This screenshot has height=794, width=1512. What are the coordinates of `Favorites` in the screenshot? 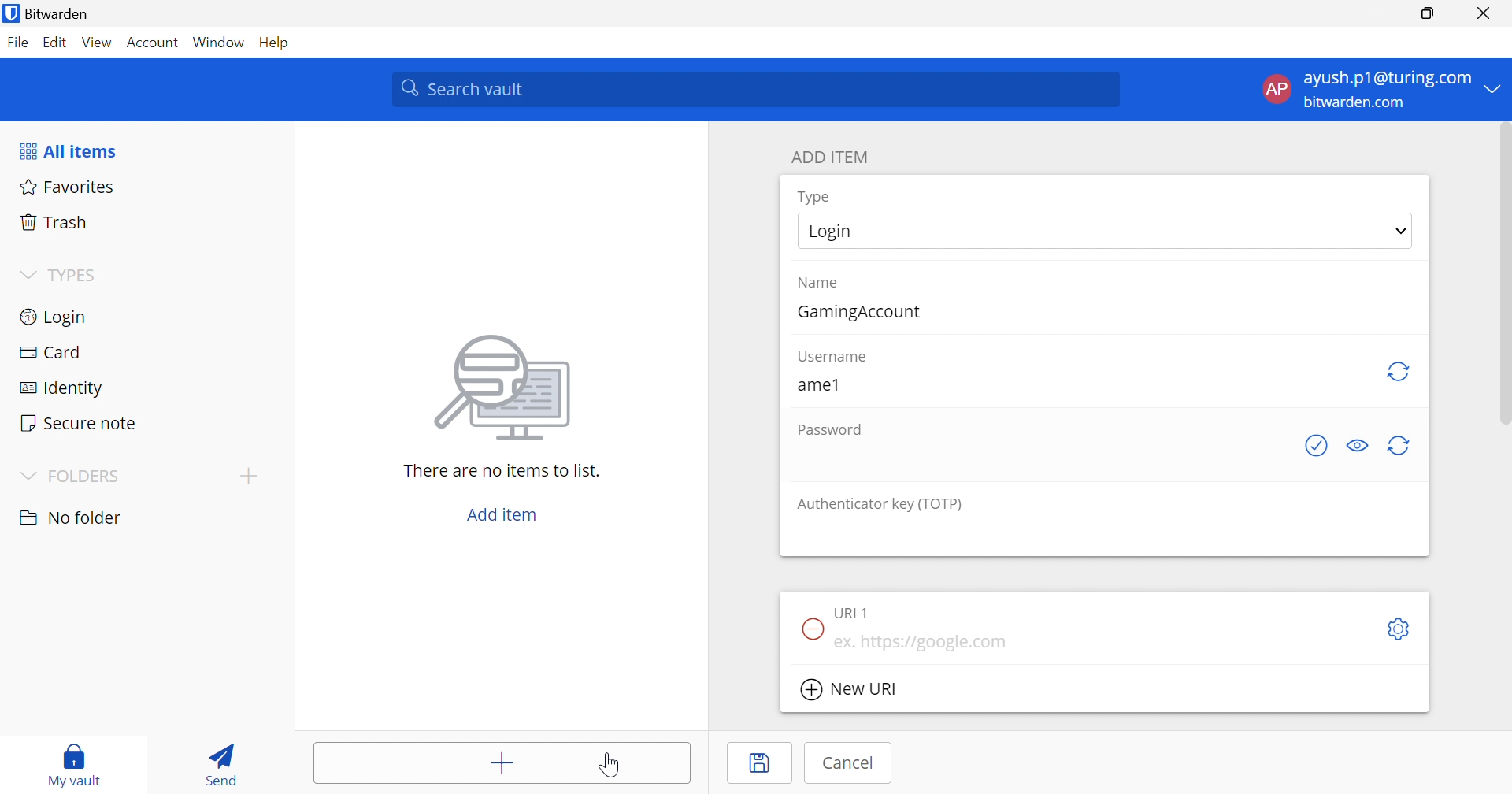 It's located at (68, 188).